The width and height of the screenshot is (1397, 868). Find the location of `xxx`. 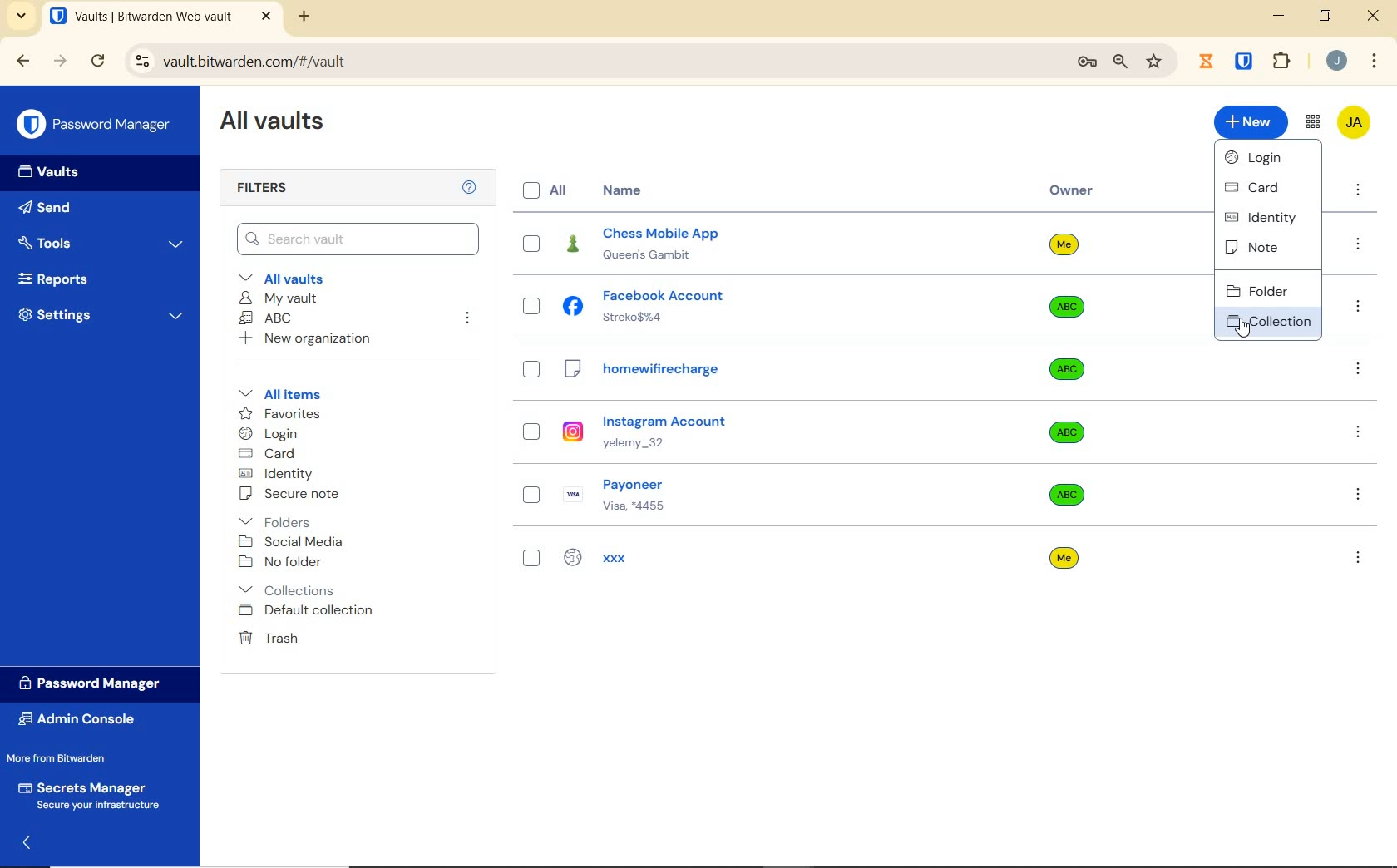

xxx is located at coordinates (763, 555).